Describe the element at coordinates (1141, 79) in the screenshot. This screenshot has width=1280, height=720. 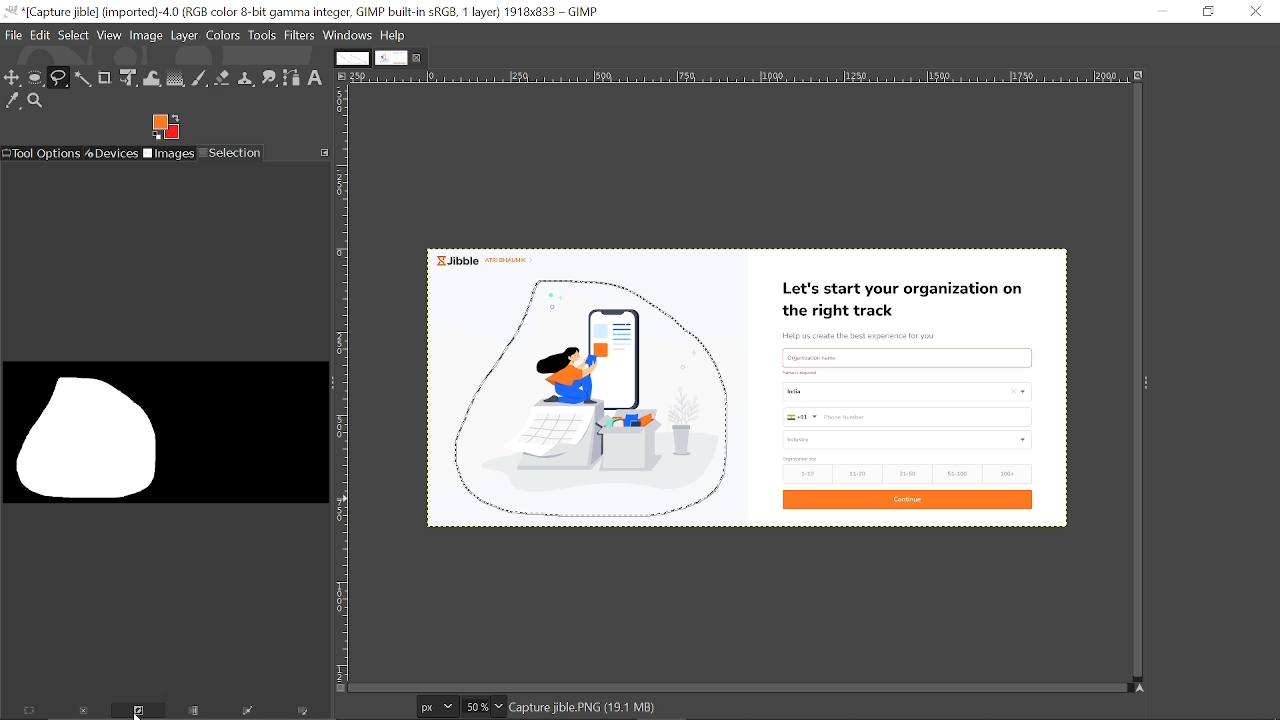
I see `Zoom image when window size changes` at that location.